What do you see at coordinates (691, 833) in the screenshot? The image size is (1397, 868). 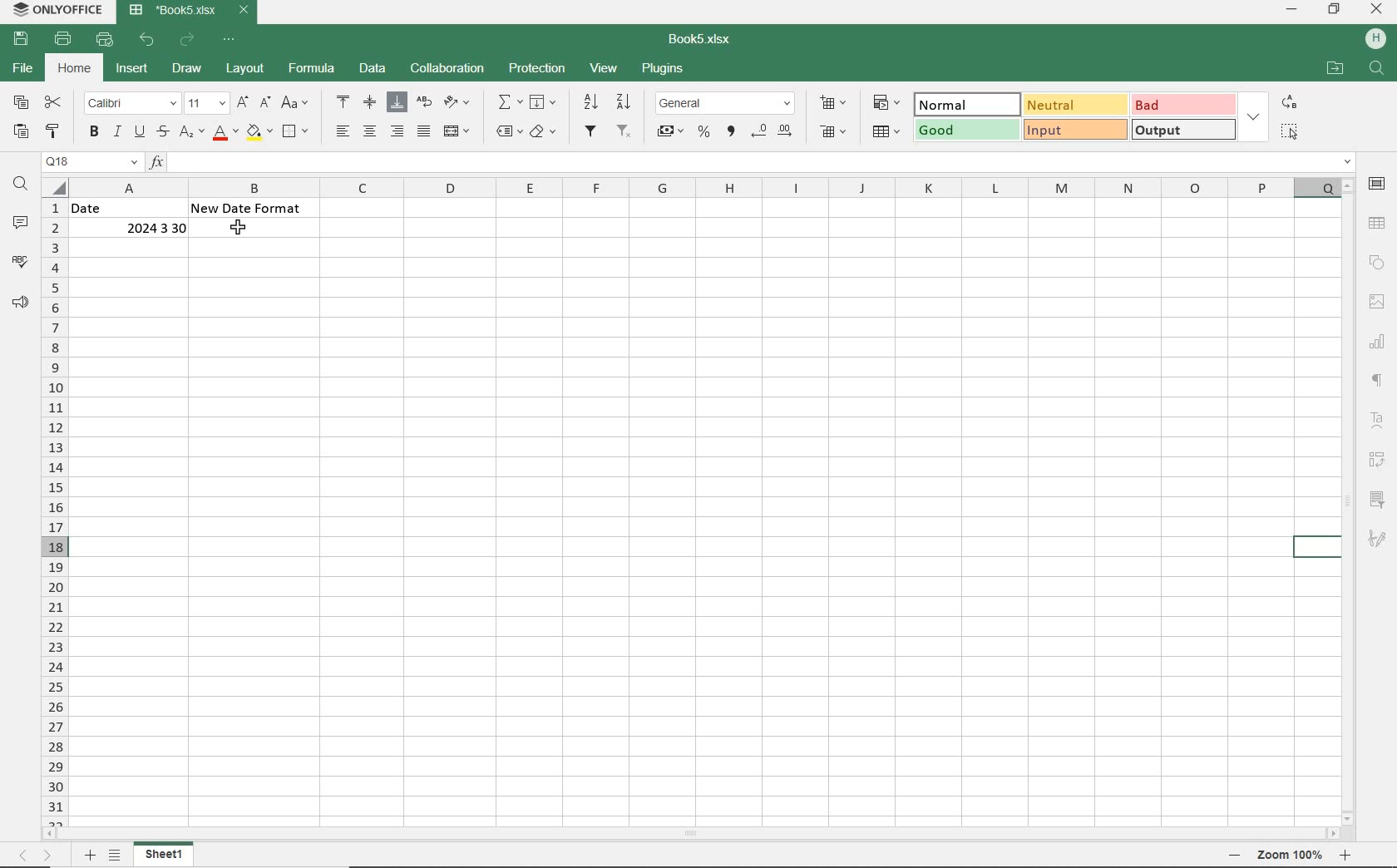 I see `SCROLLBAR` at bounding box center [691, 833].